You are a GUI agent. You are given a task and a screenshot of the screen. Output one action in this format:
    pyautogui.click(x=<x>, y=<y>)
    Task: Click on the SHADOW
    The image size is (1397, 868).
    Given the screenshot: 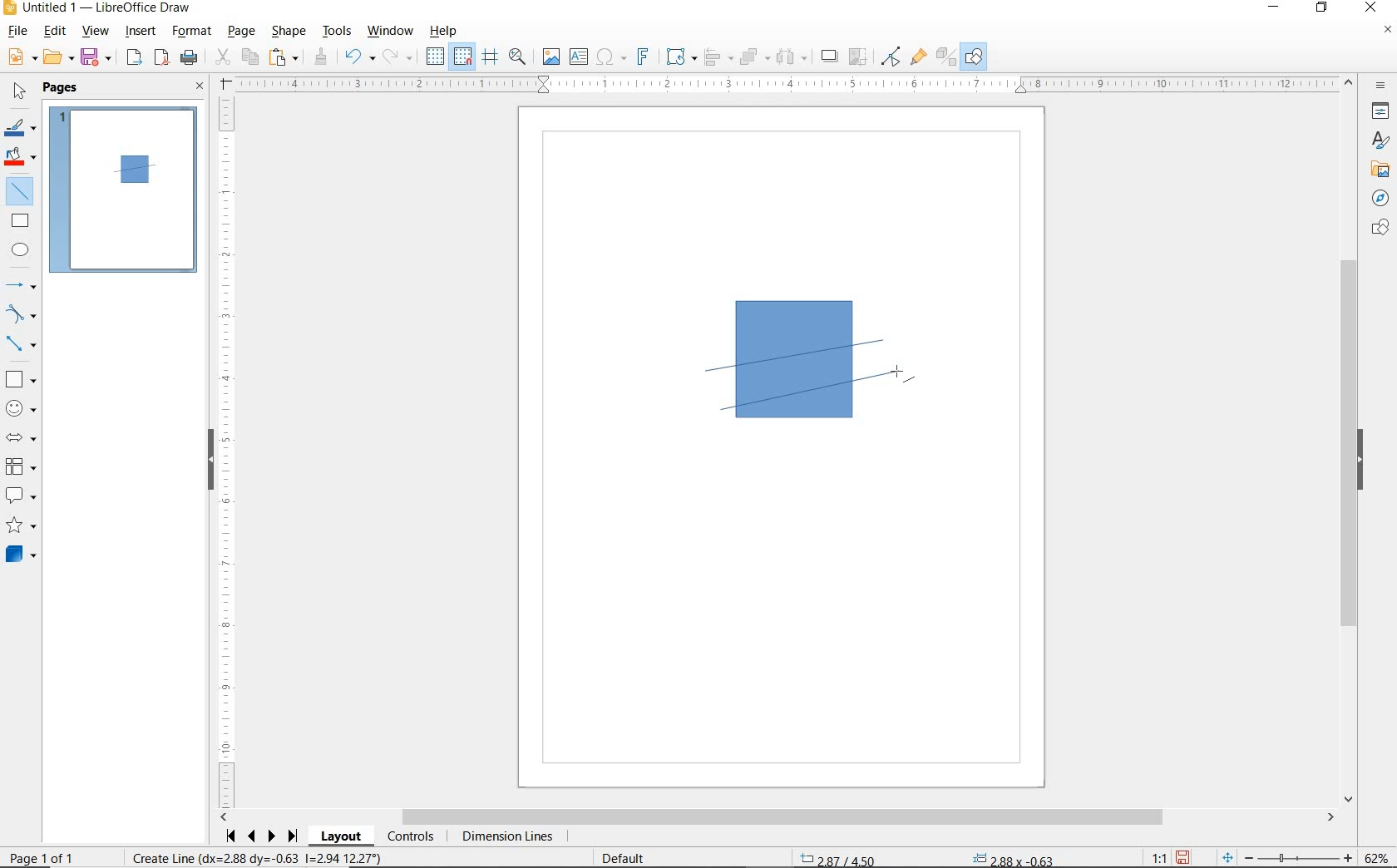 What is the action you would take?
    pyautogui.click(x=830, y=57)
    